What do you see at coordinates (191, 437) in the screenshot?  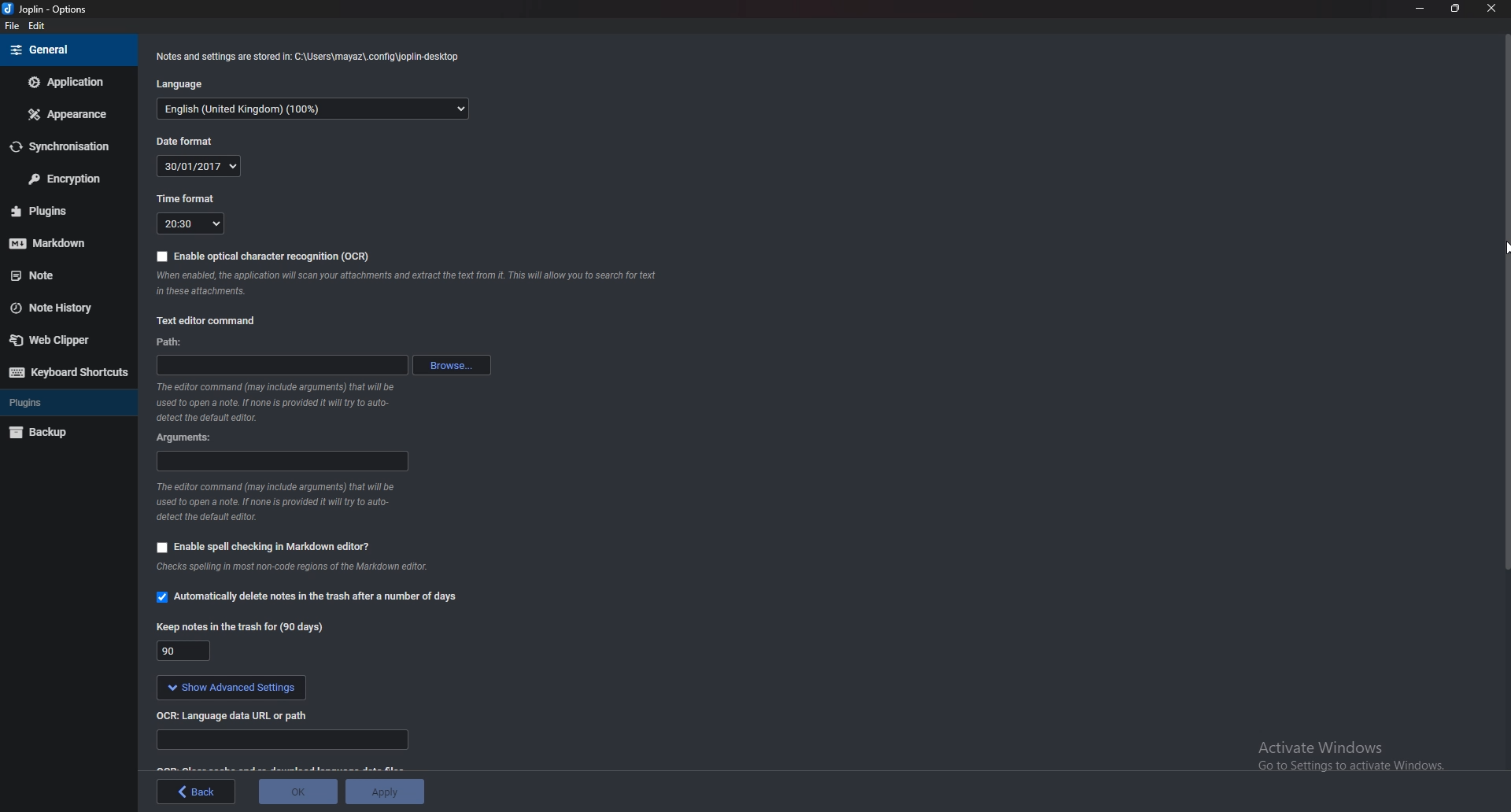 I see `Arguments` at bounding box center [191, 437].